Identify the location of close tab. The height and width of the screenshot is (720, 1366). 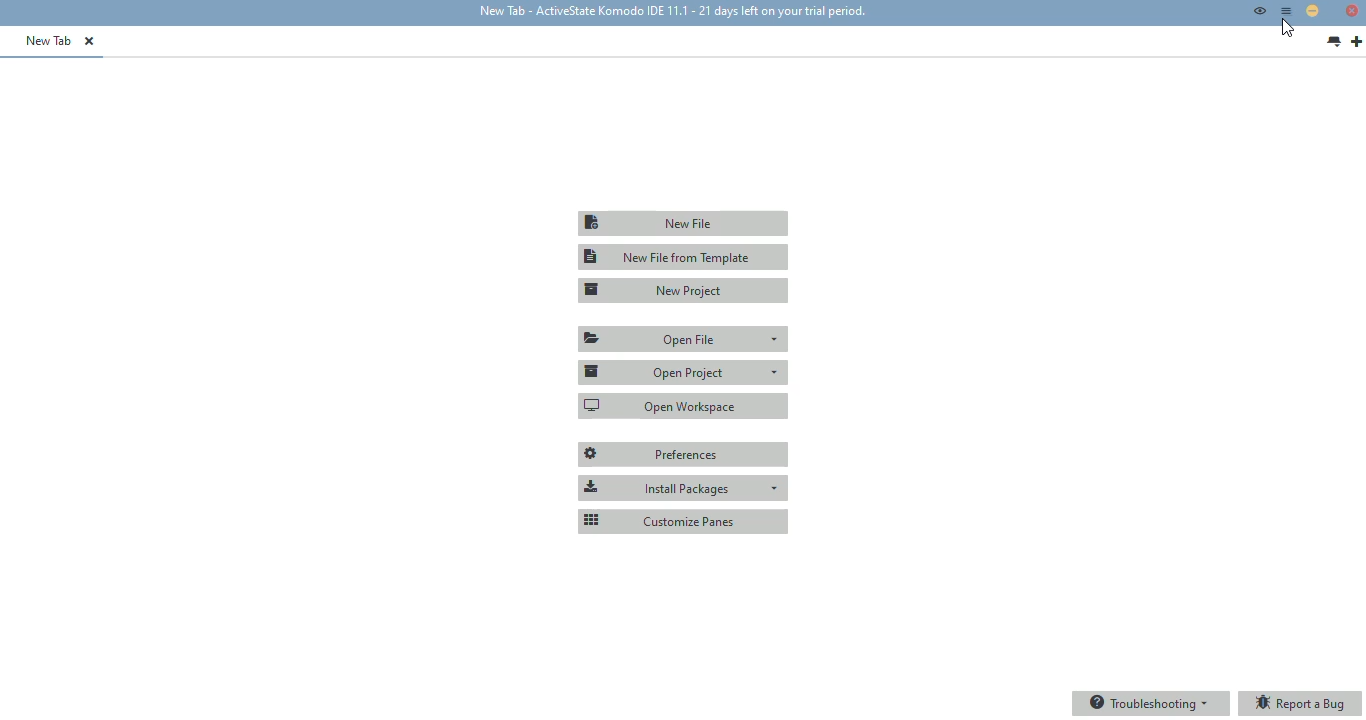
(89, 41).